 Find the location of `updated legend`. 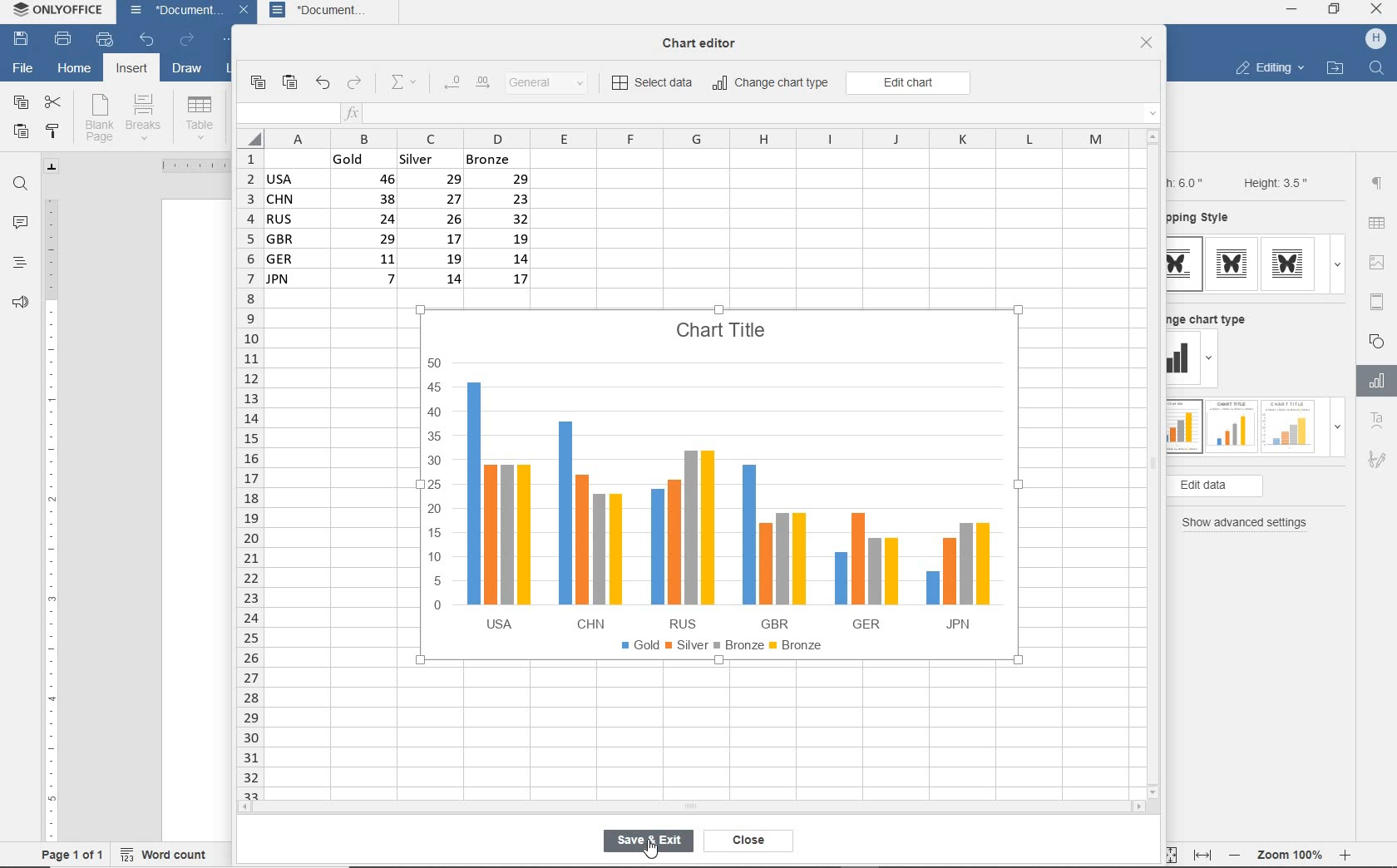

updated legend is located at coordinates (721, 647).